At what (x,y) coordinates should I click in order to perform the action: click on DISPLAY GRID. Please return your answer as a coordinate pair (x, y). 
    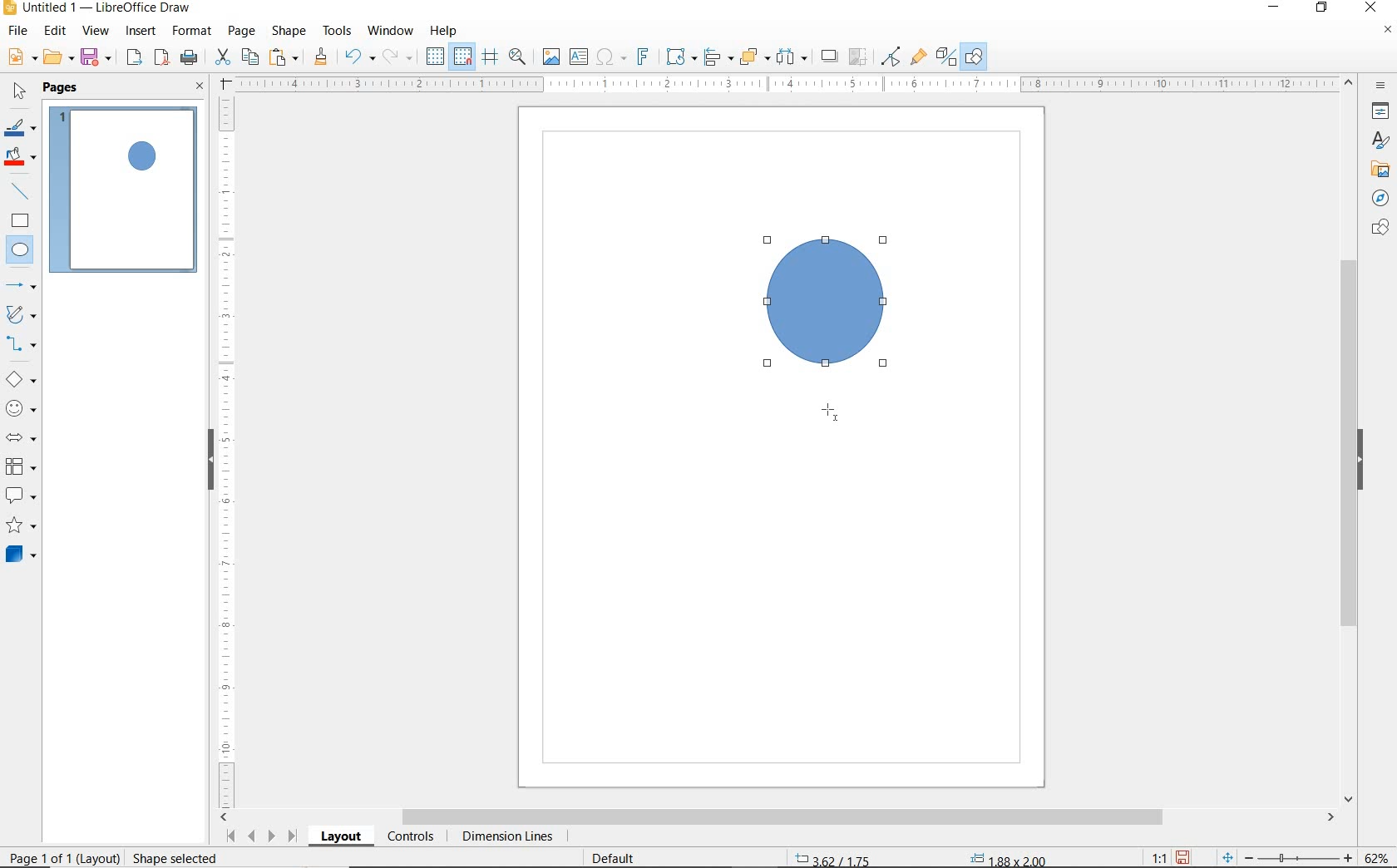
    Looking at the image, I should click on (437, 57).